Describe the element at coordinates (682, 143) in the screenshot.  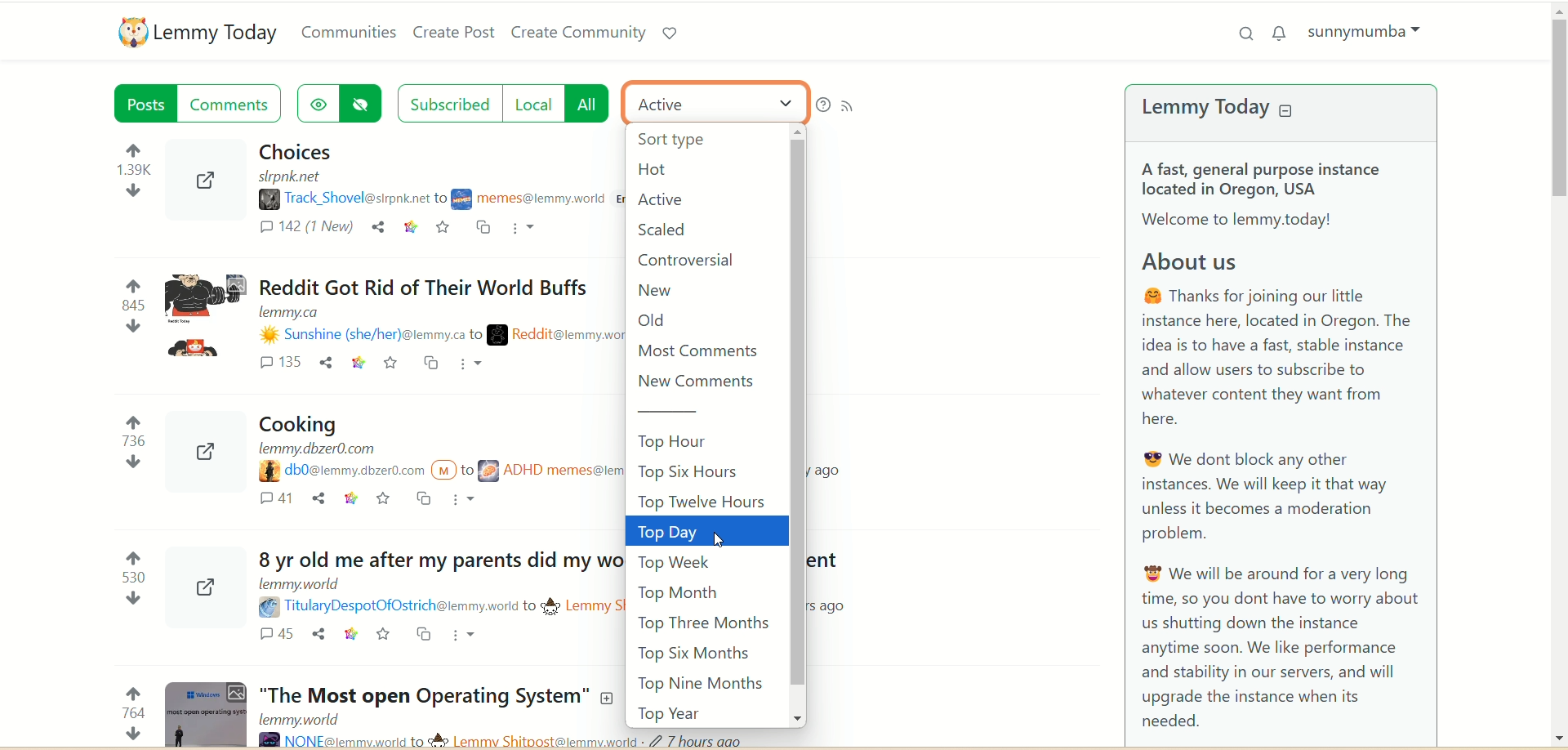
I see `sort type` at that location.